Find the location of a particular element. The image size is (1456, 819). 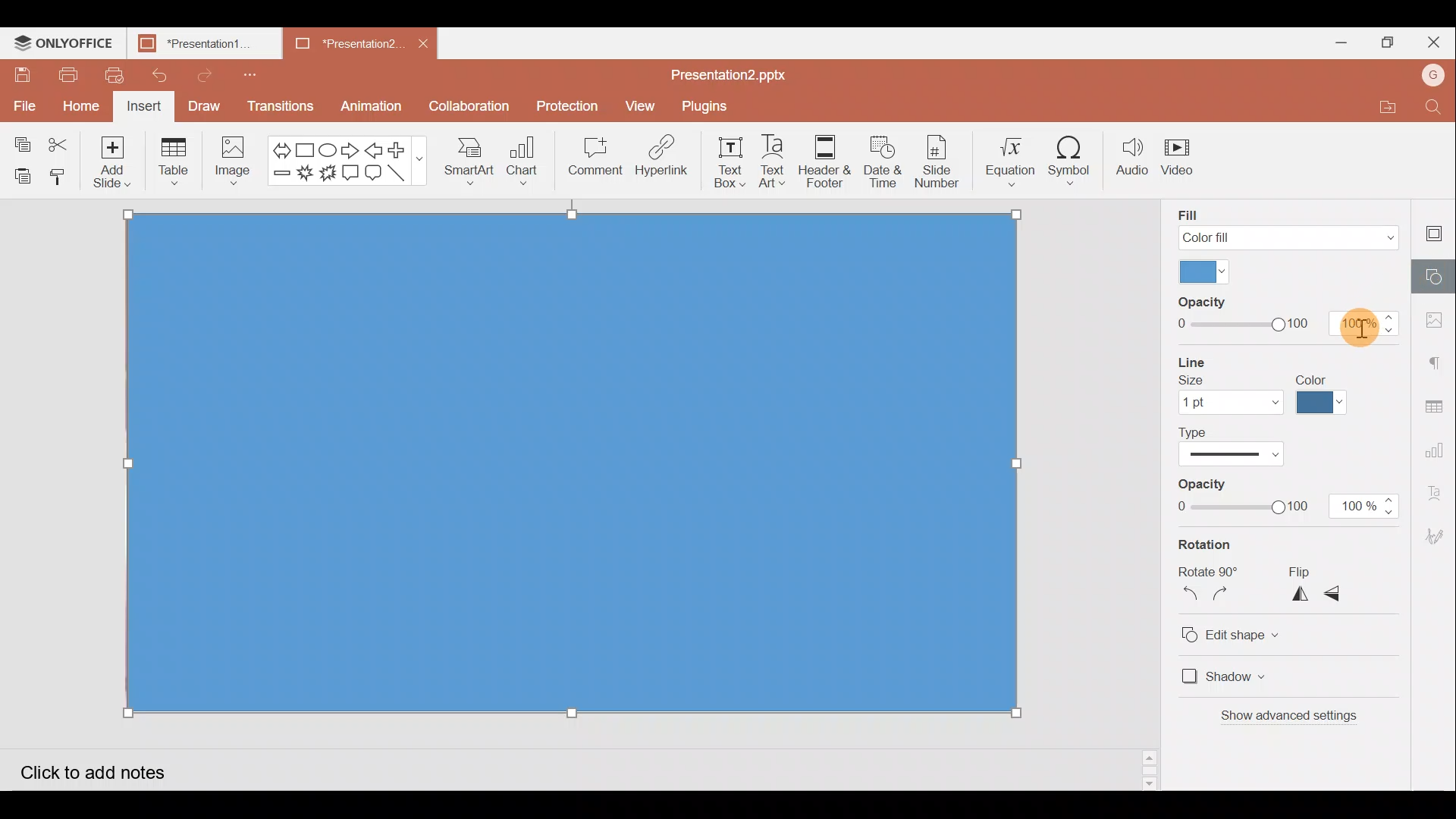

Quick print is located at coordinates (111, 73).